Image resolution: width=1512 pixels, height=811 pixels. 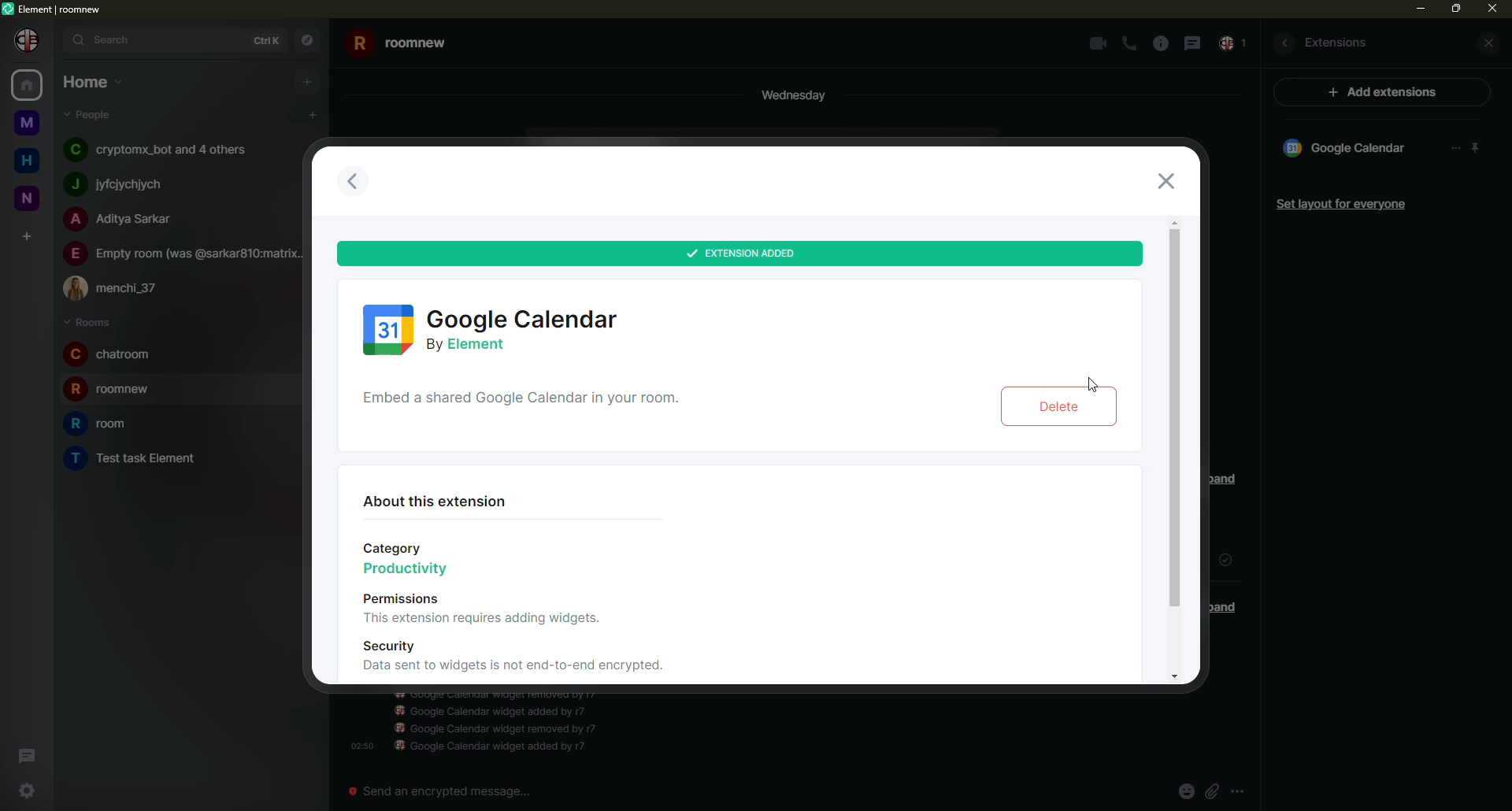 I want to click on emoji, so click(x=1185, y=791).